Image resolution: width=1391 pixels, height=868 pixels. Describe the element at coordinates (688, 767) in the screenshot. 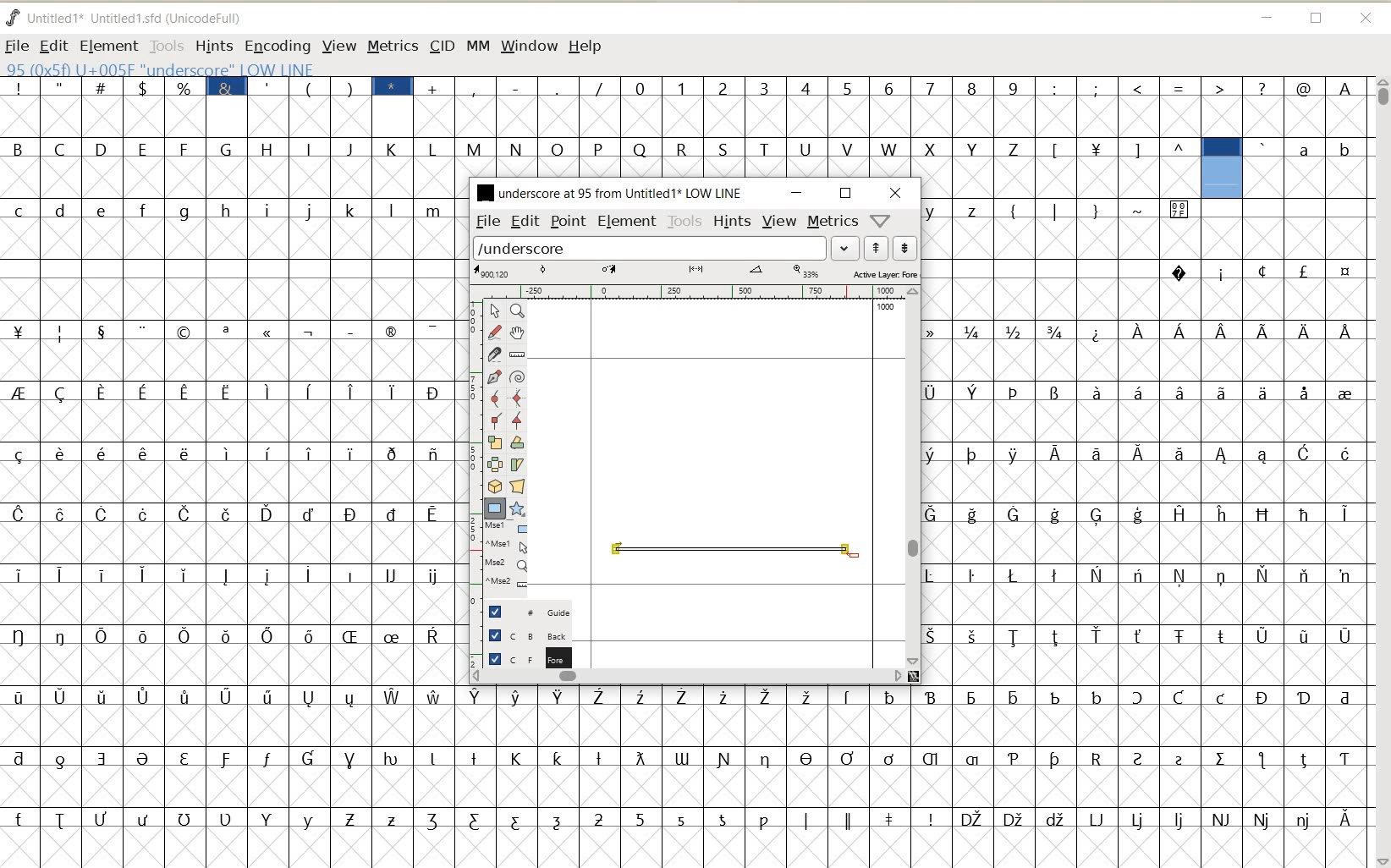

I see `GLYPHY CHARACTERS & NUMBERS` at that location.